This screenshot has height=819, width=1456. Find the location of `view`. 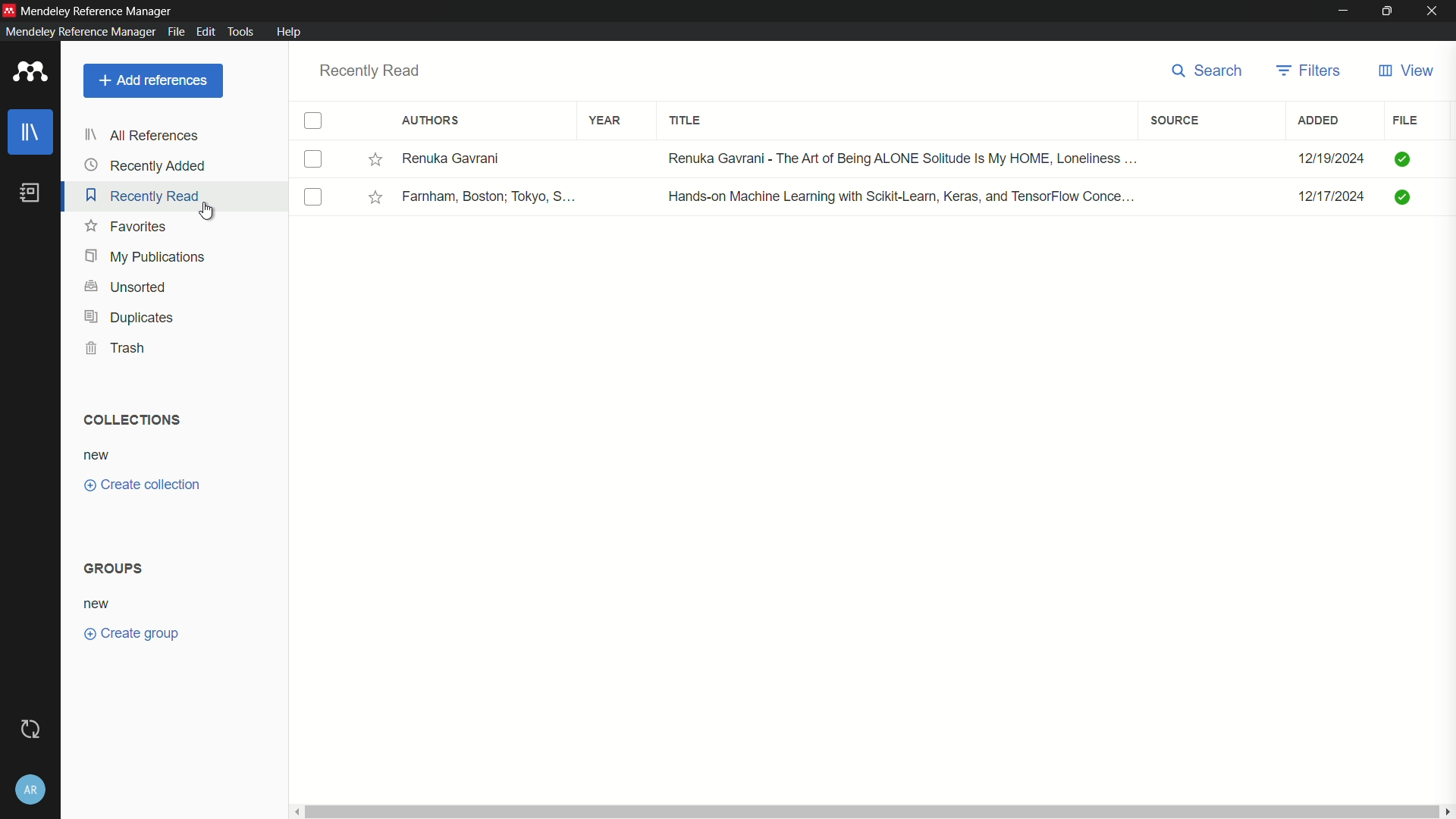

view is located at coordinates (1407, 71).